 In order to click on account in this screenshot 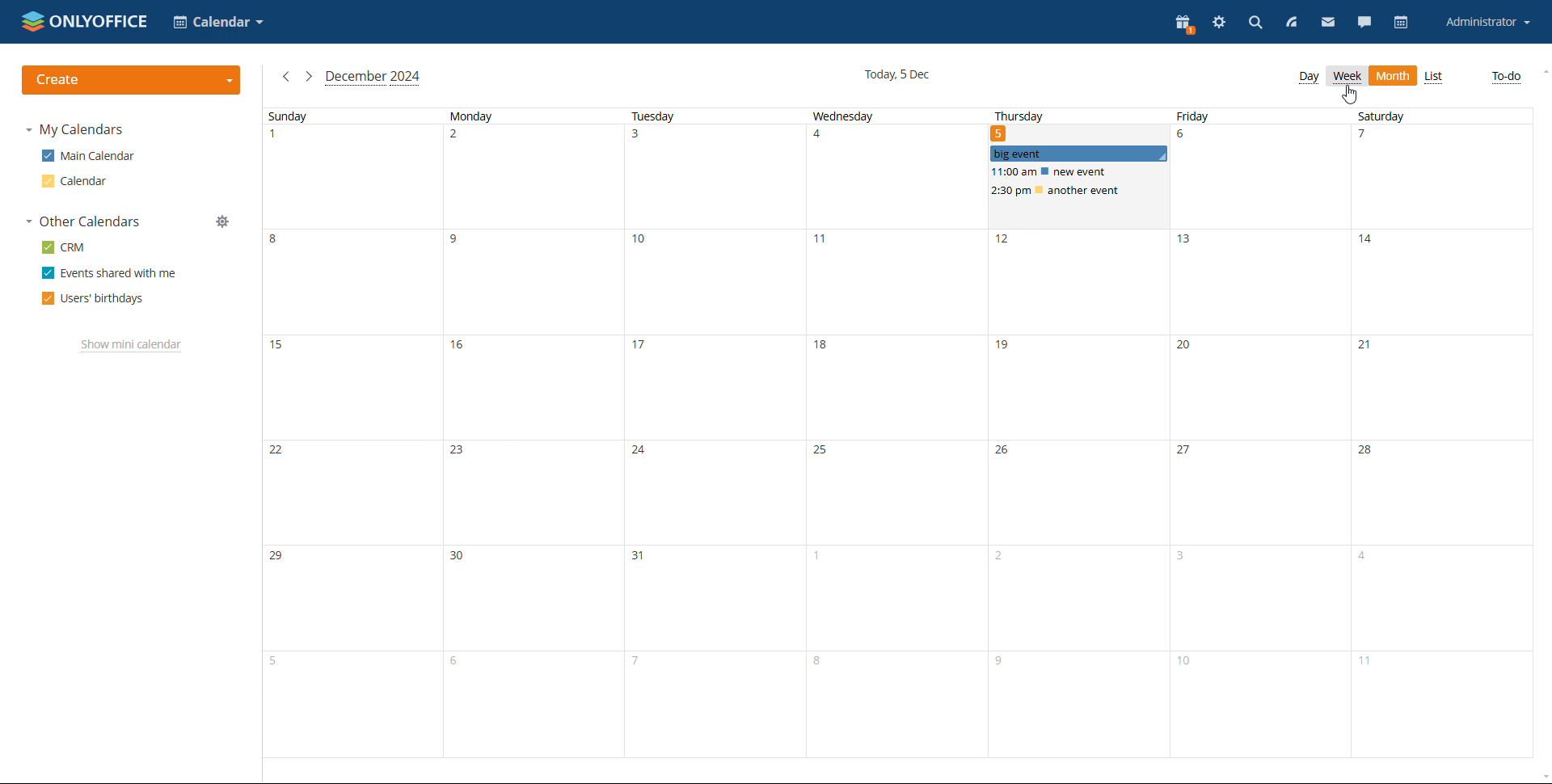, I will do `click(1488, 22)`.